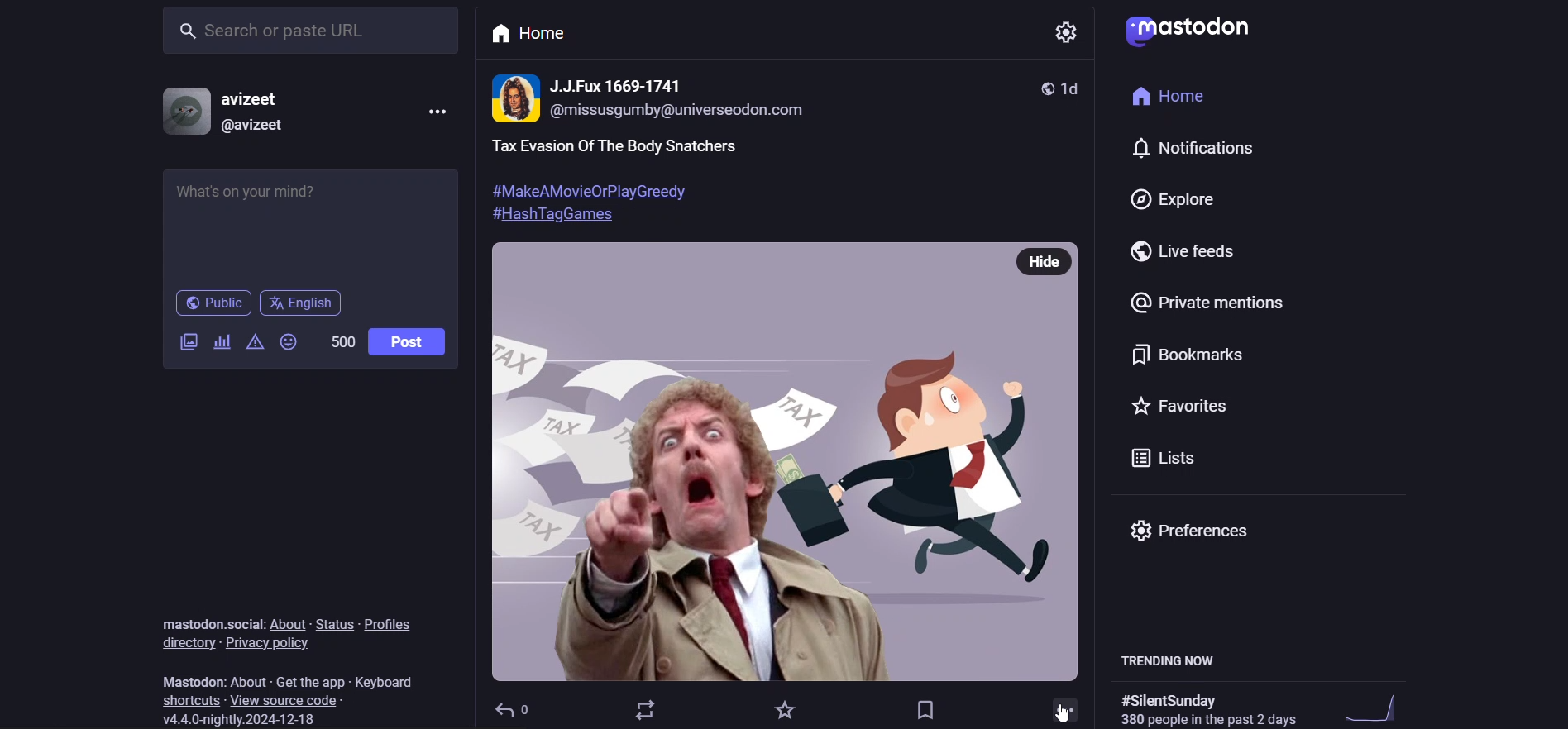 Image resolution: width=1568 pixels, height=729 pixels. I want to click on favorite, so click(781, 708).